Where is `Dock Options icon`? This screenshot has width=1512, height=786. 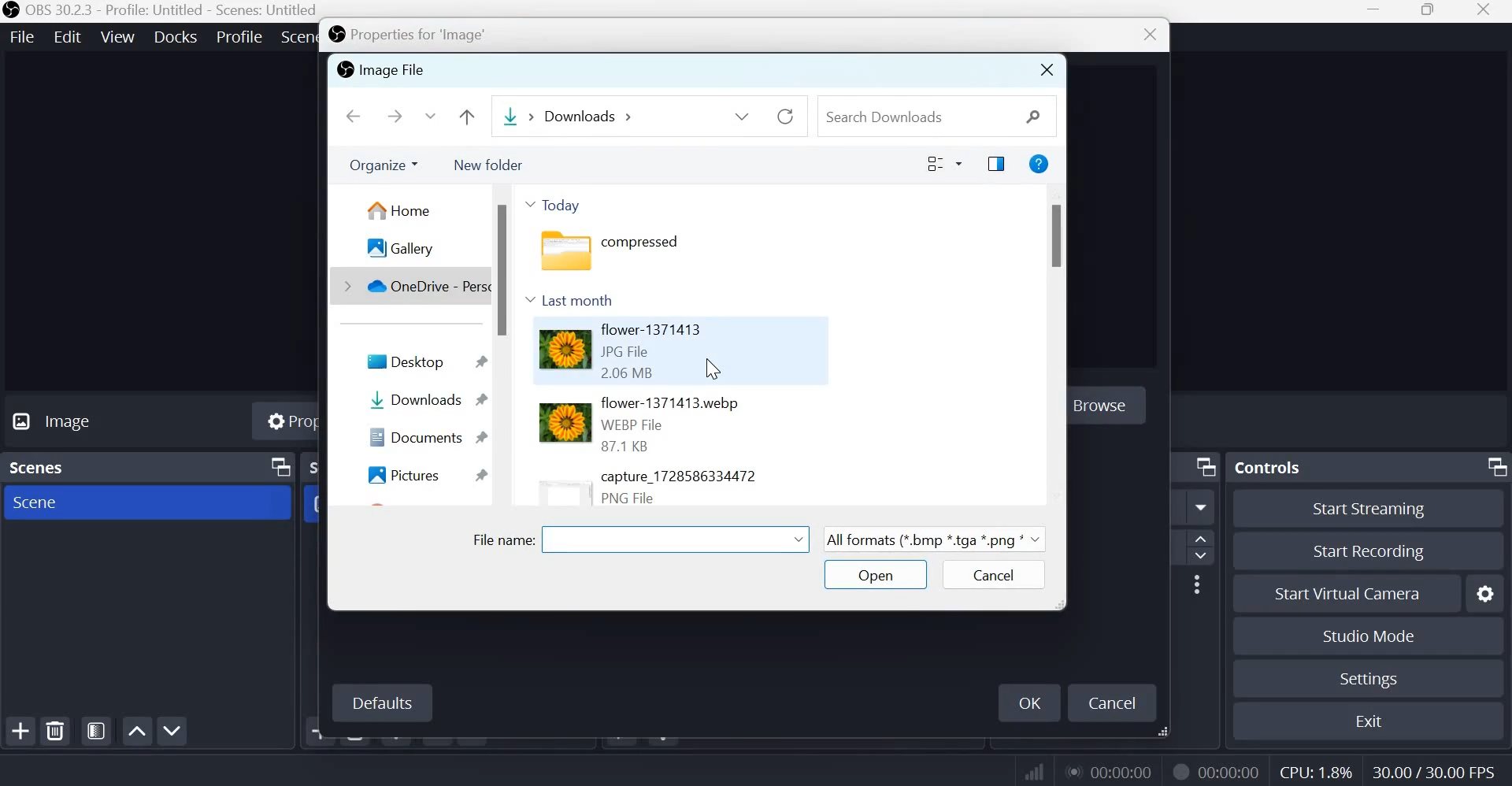
Dock Options icon is located at coordinates (276, 467).